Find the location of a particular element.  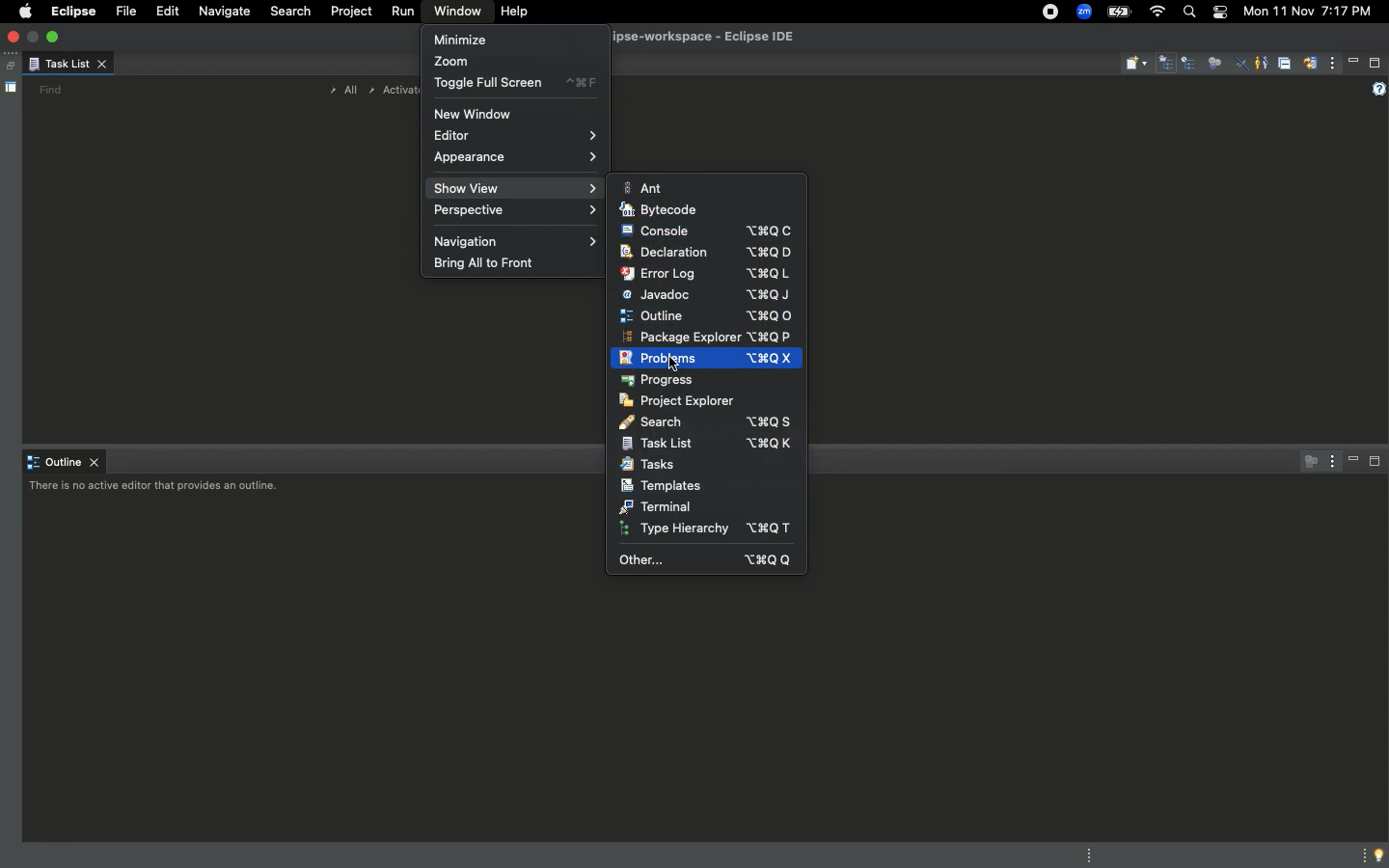

Tasks is located at coordinates (654, 466).